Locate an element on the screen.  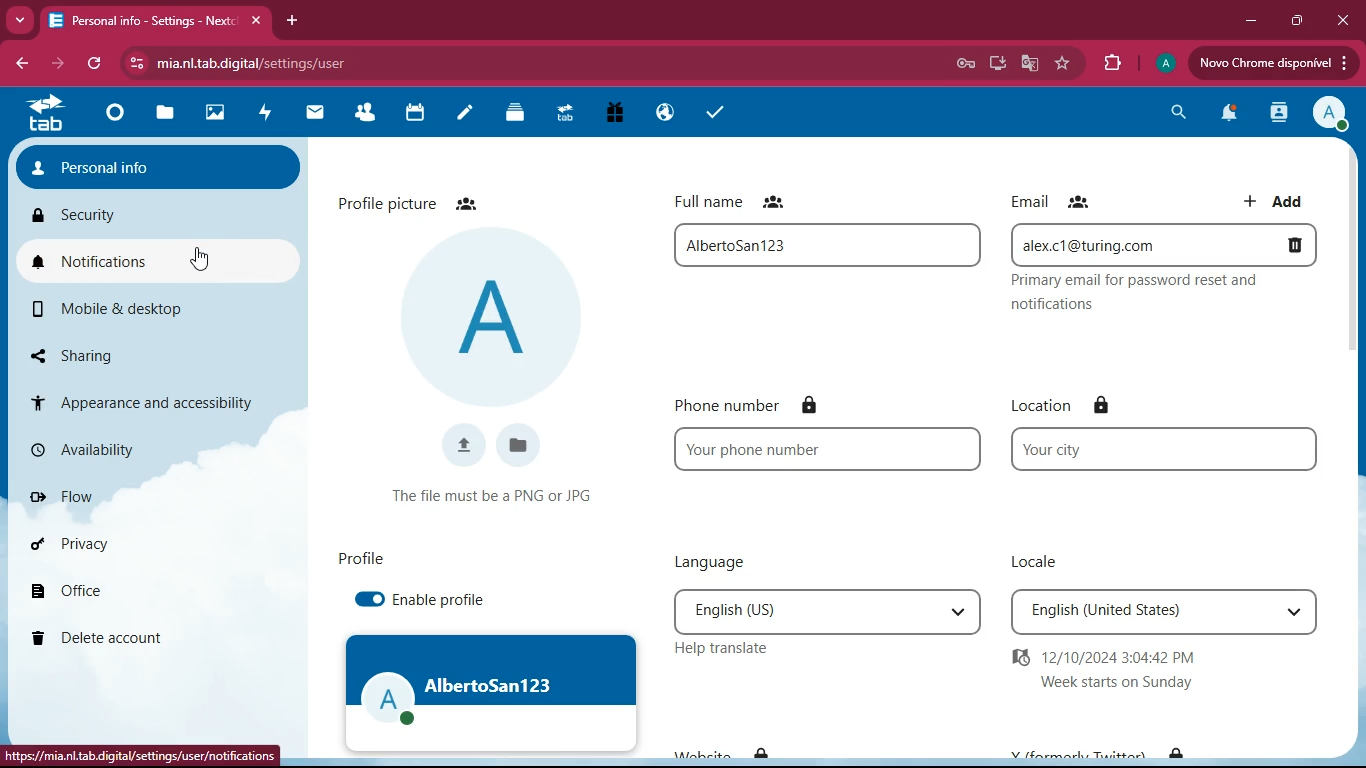
sharing is located at coordinates (101, 352).